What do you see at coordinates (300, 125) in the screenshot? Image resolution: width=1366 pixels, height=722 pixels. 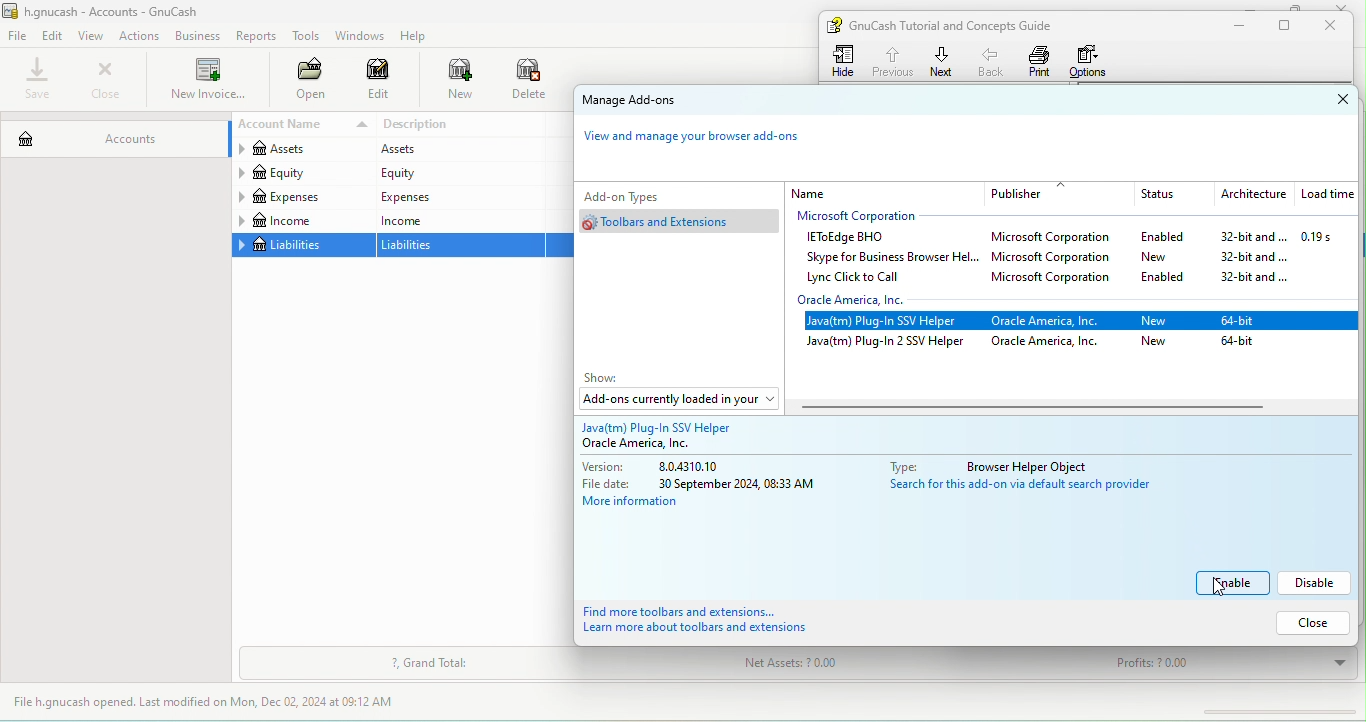 I see `account name` at bounding box center [300, 125].